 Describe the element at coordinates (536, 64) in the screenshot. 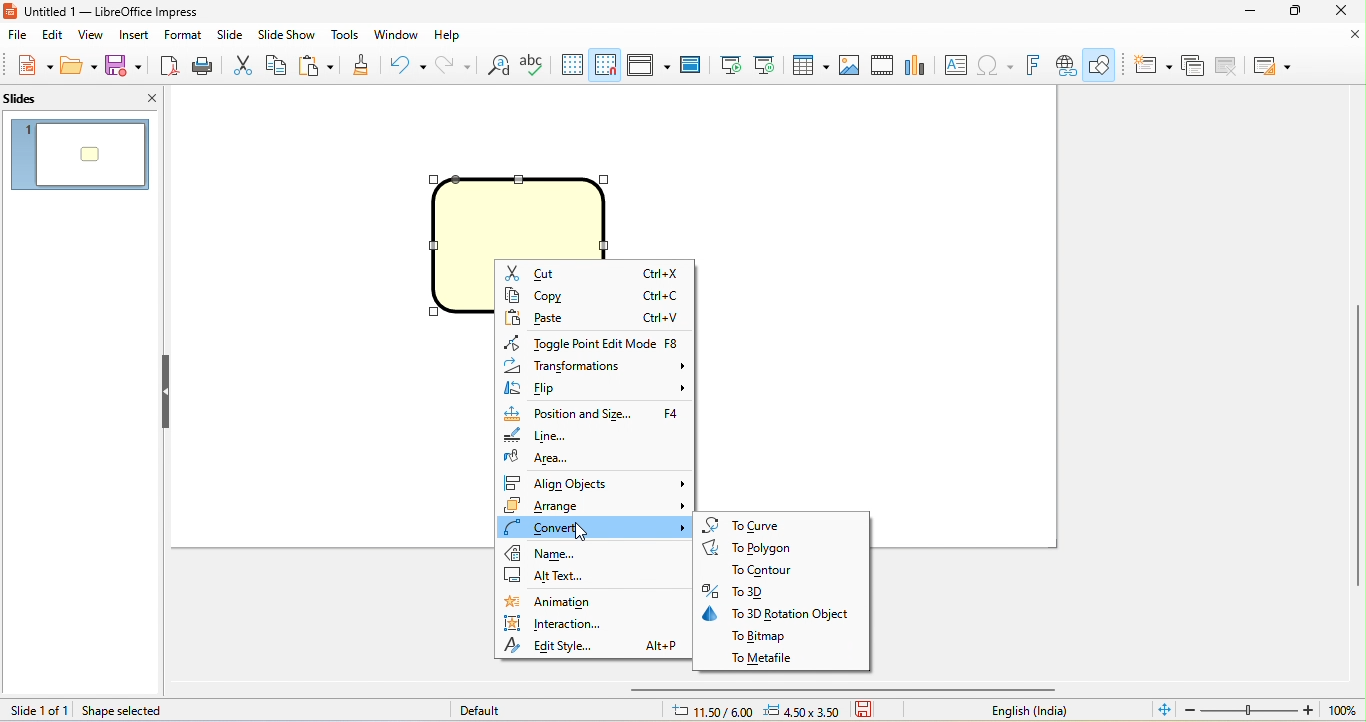

I see `spelling` at that location.